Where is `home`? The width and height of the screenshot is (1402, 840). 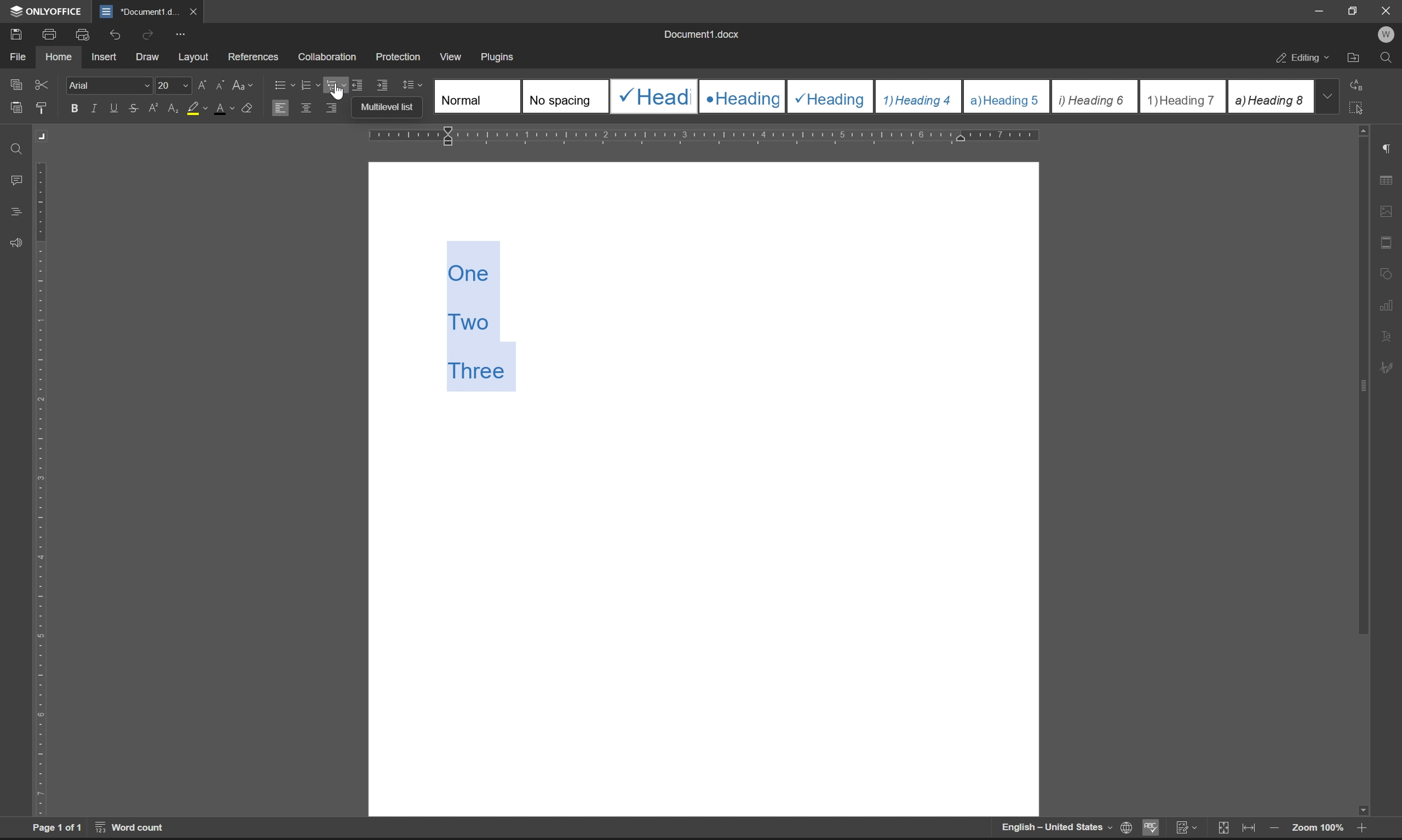
home is located at coordinates (58, 55).